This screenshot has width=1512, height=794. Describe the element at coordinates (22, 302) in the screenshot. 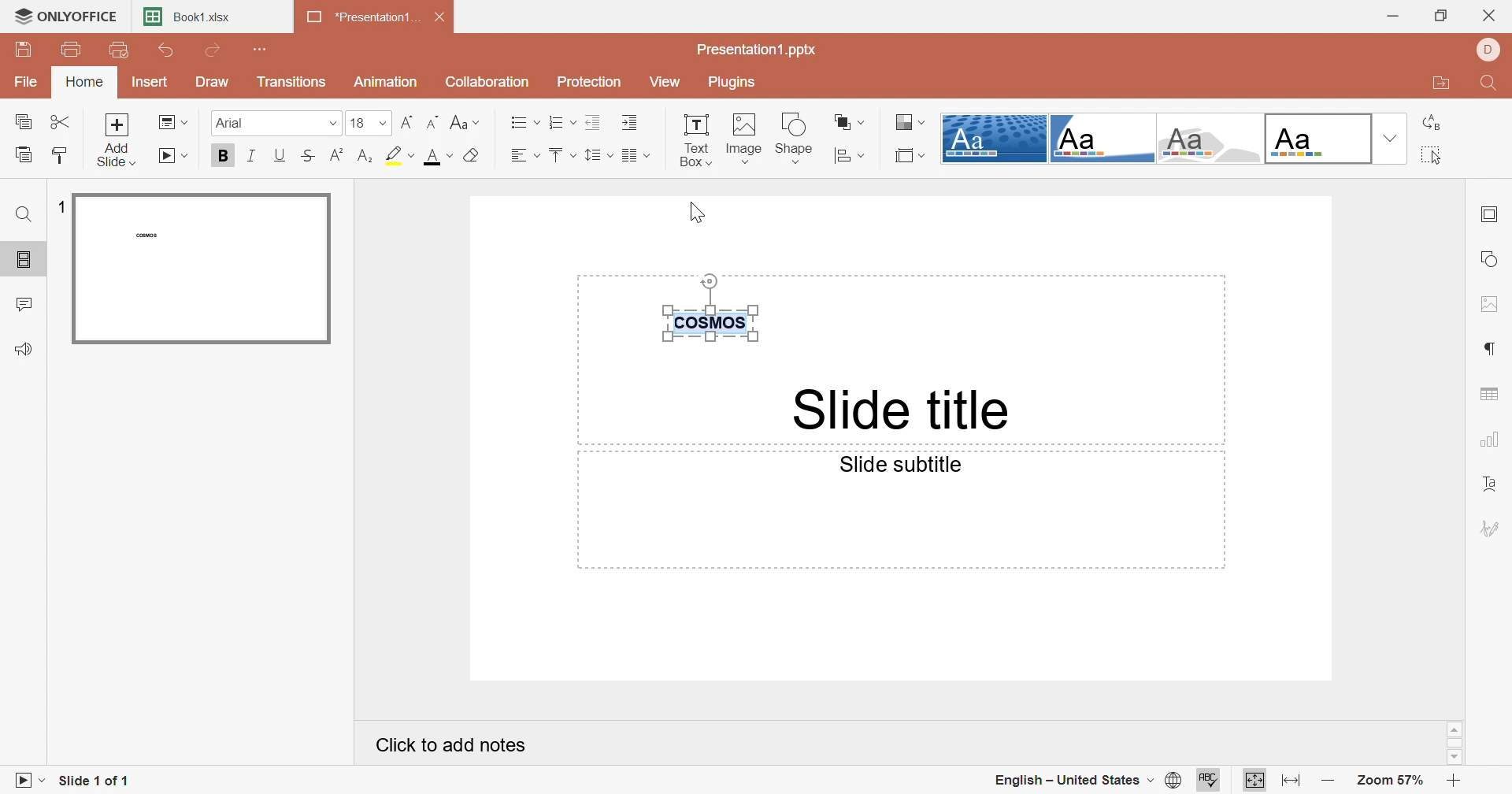

I see `Comments` at that location.